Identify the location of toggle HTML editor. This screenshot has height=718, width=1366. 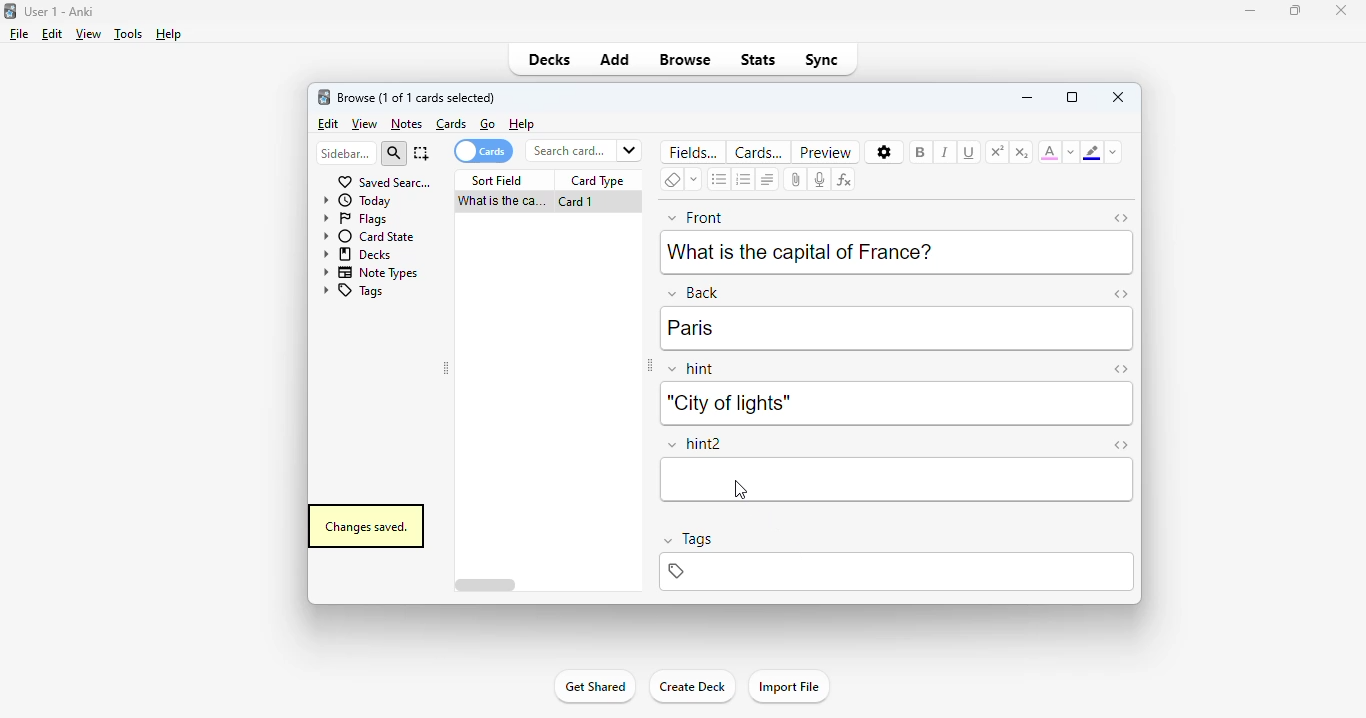
(1121, 446).